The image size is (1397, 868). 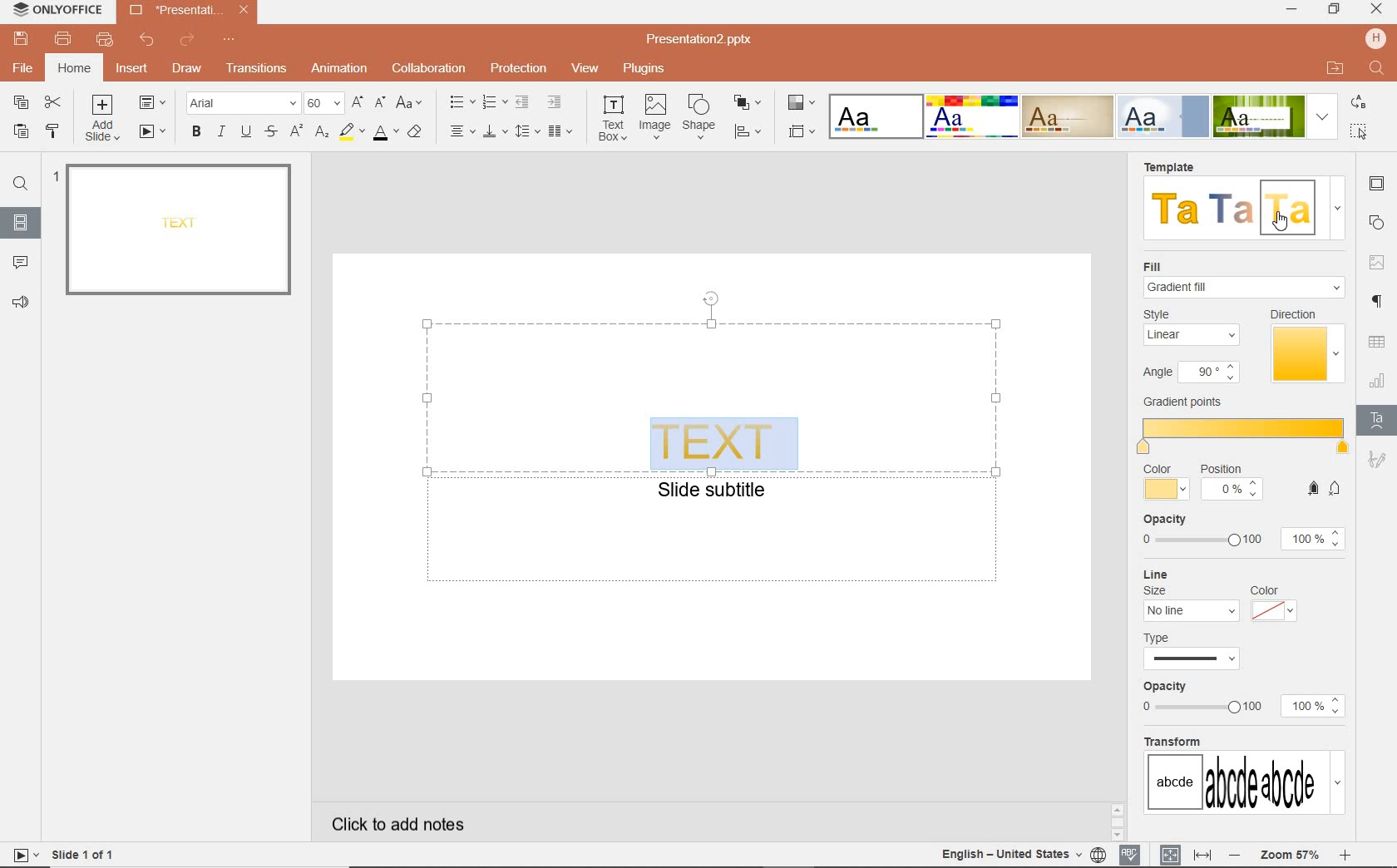 I want to click on CUSTOMIZE QUICK ACCESS TOOLBAR, so click(x=228, y=42).